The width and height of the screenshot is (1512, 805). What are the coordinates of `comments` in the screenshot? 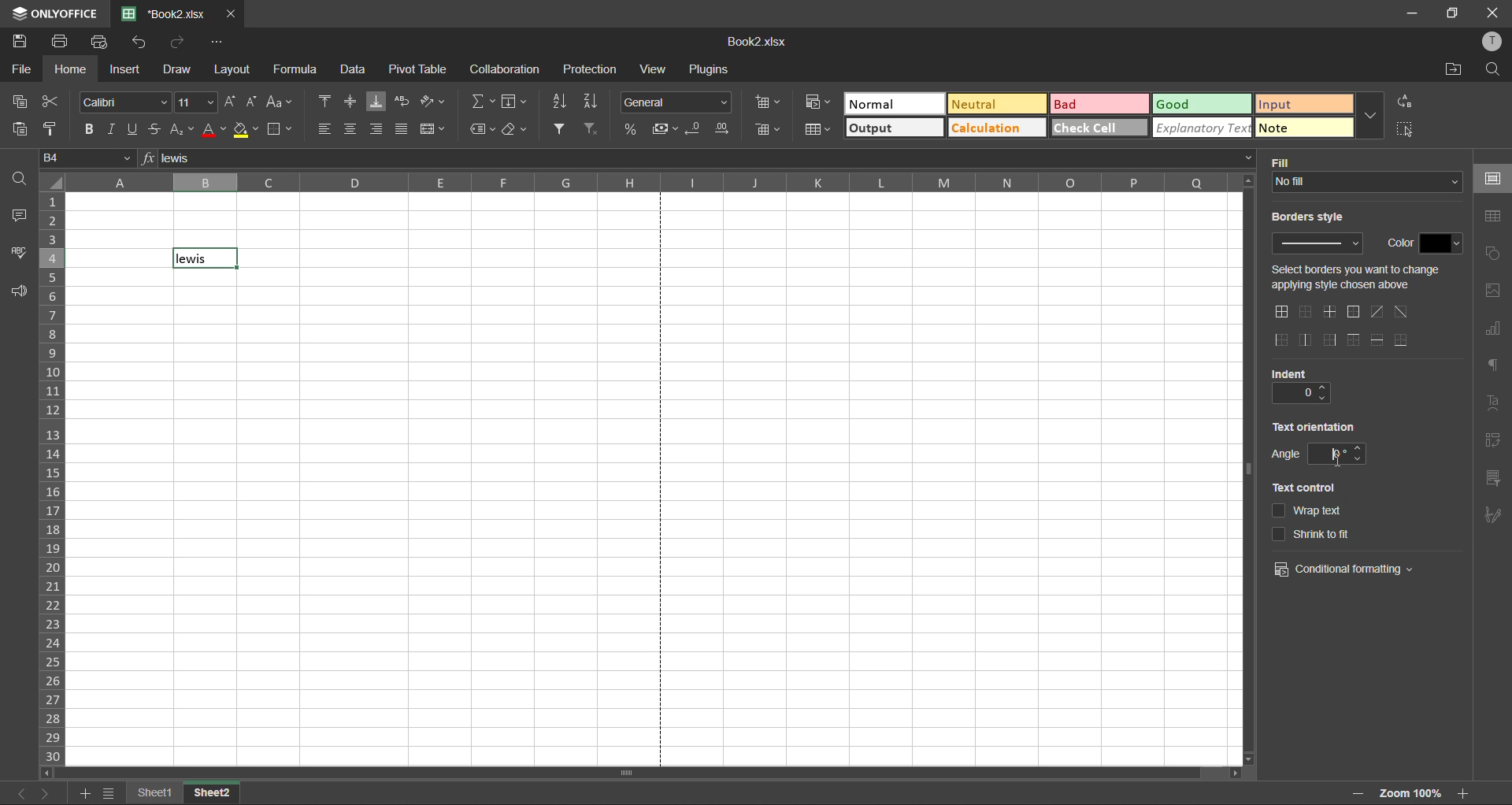 It's located at (22, 218).